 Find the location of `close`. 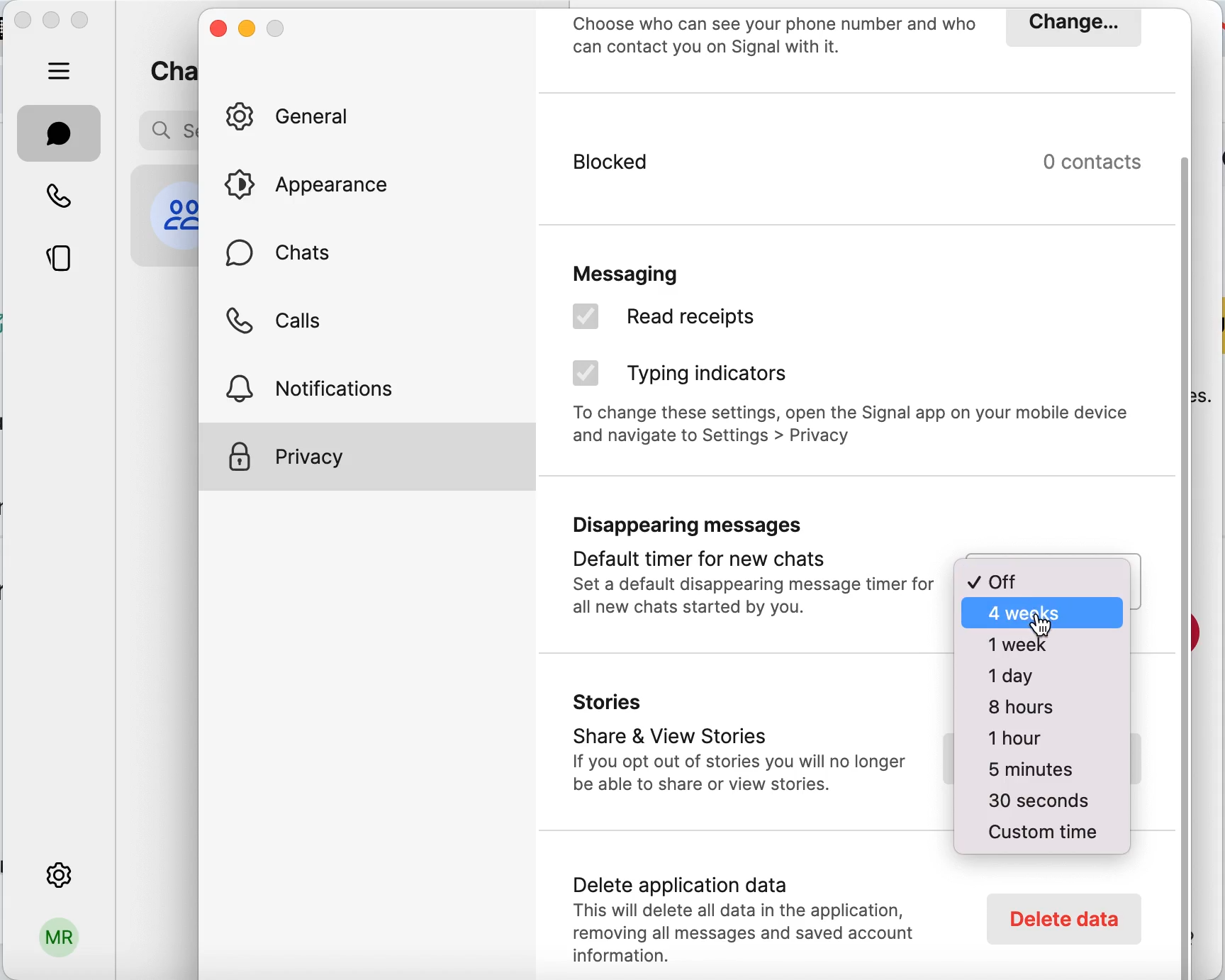

close is located at coordinates (23, 23).